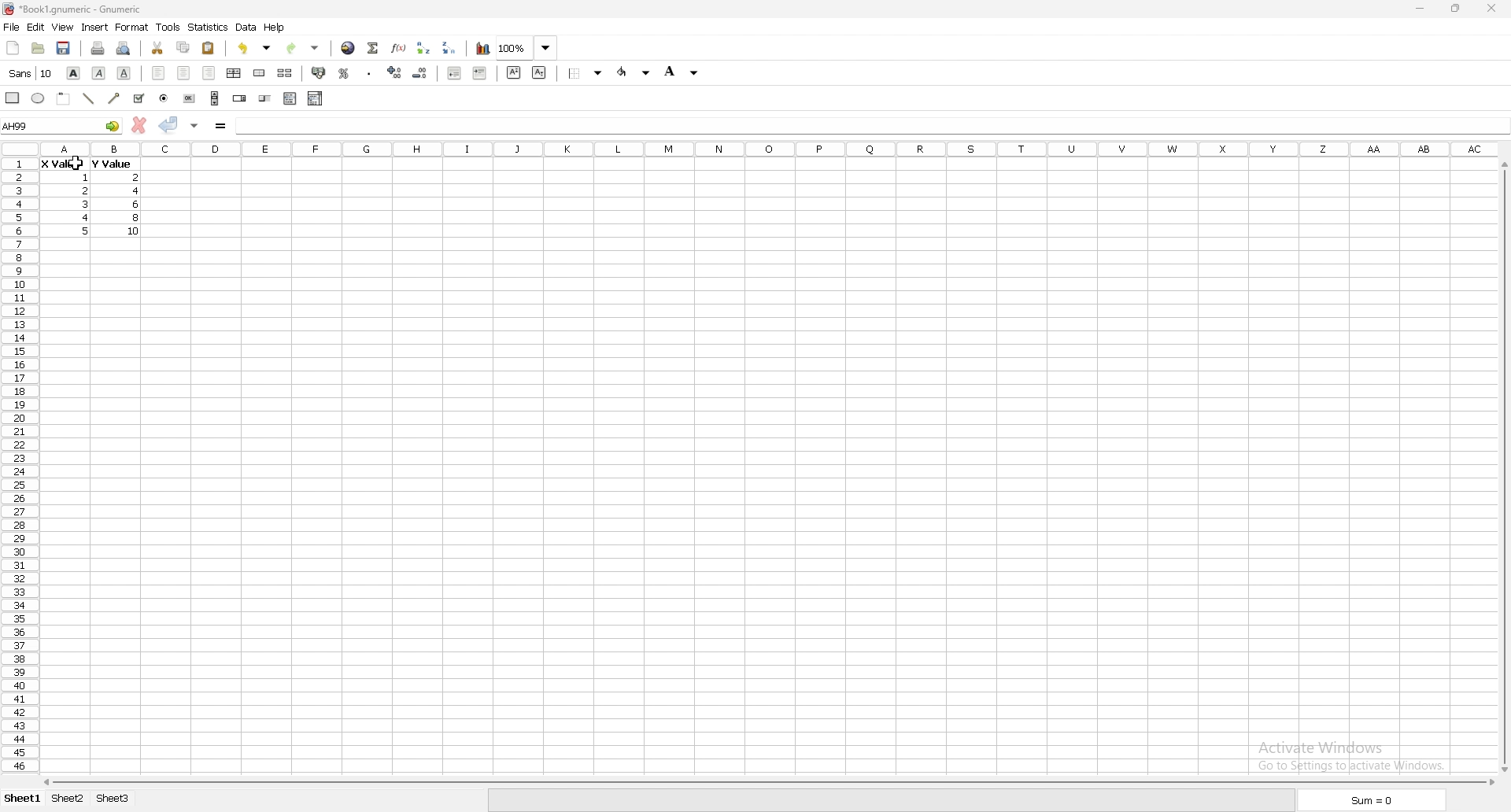 The width and height of the screenshot is (1511, 812). Describe the element at coordinates (235, 72) in the screenshot. I see `centre horizontally` at that location.